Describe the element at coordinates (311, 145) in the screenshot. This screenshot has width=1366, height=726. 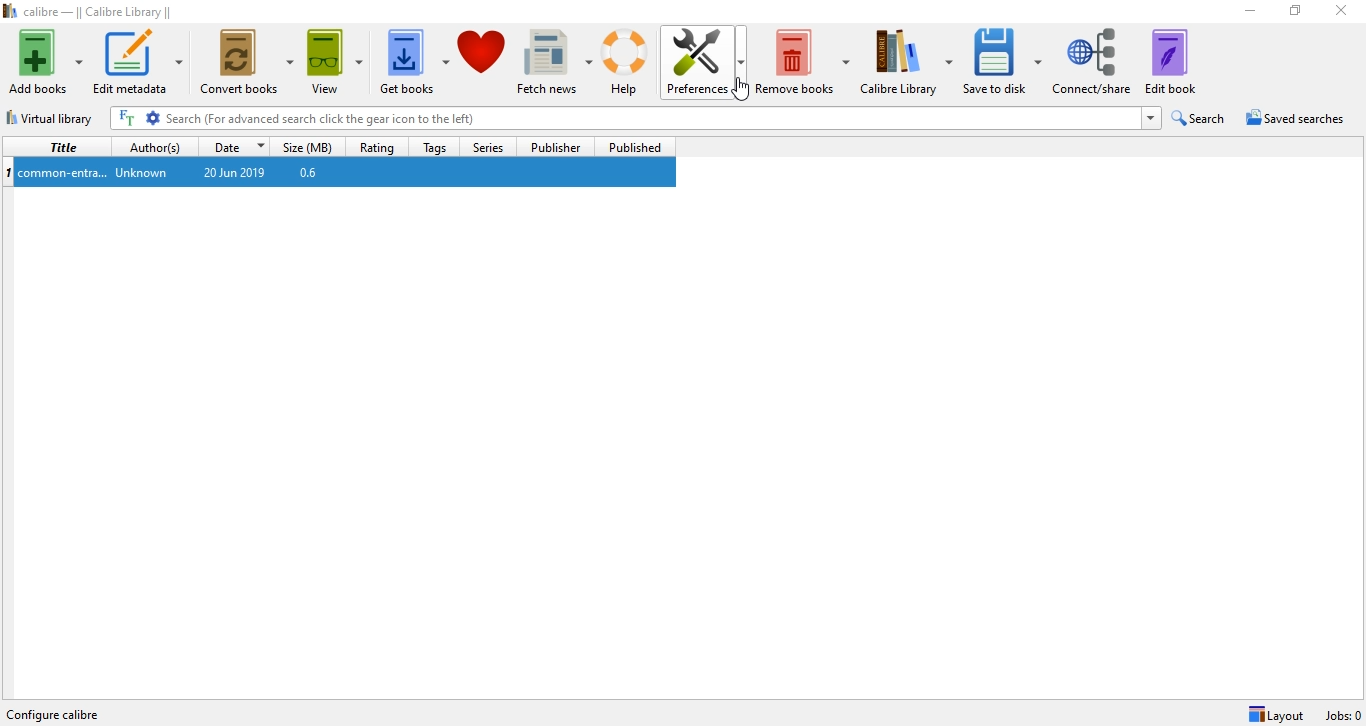
I see `Size (MB)` at that location.